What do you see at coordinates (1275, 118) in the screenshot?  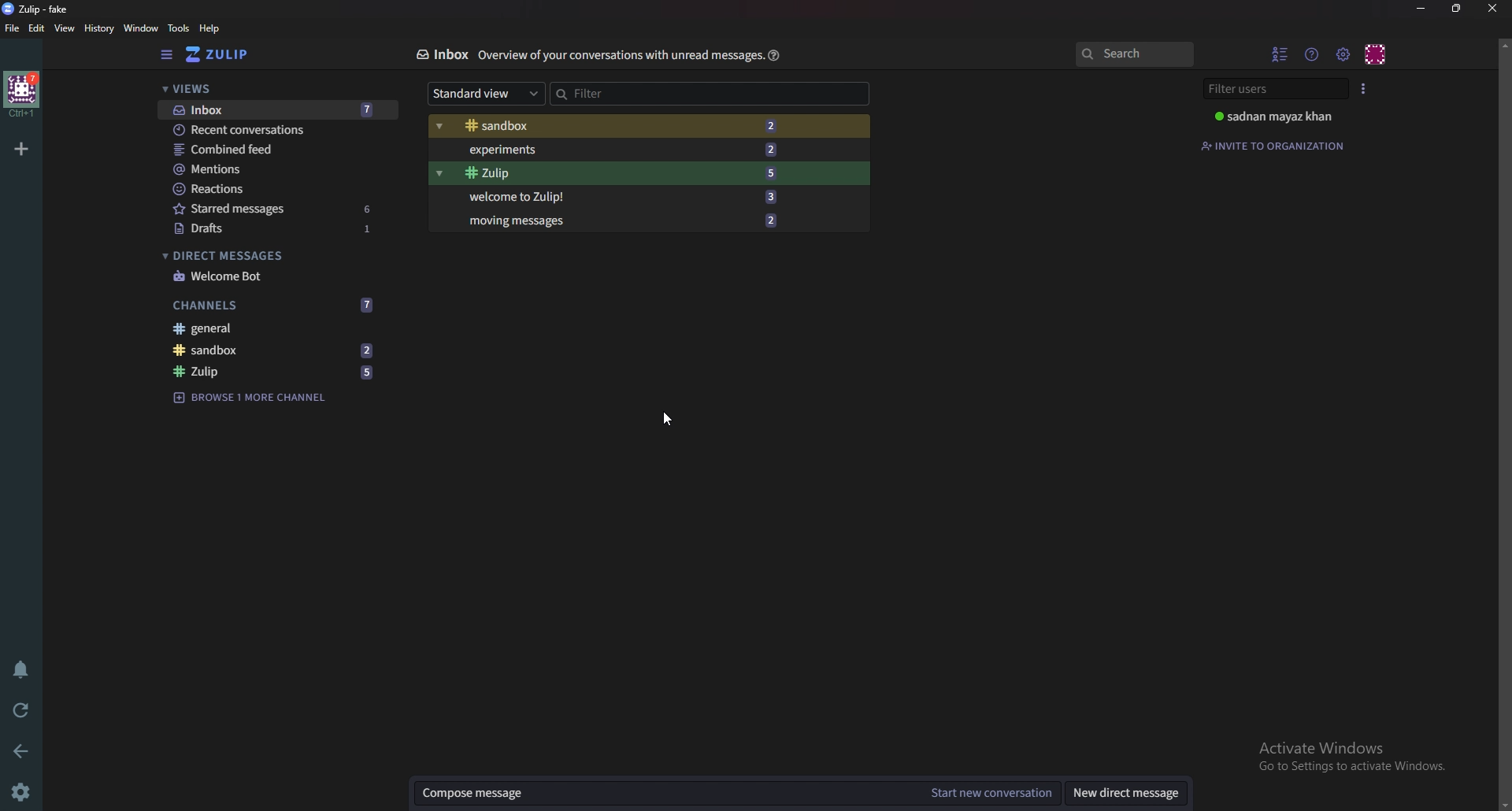 I see `sadnan mayaz khan` at bounding box center [1275, 118].